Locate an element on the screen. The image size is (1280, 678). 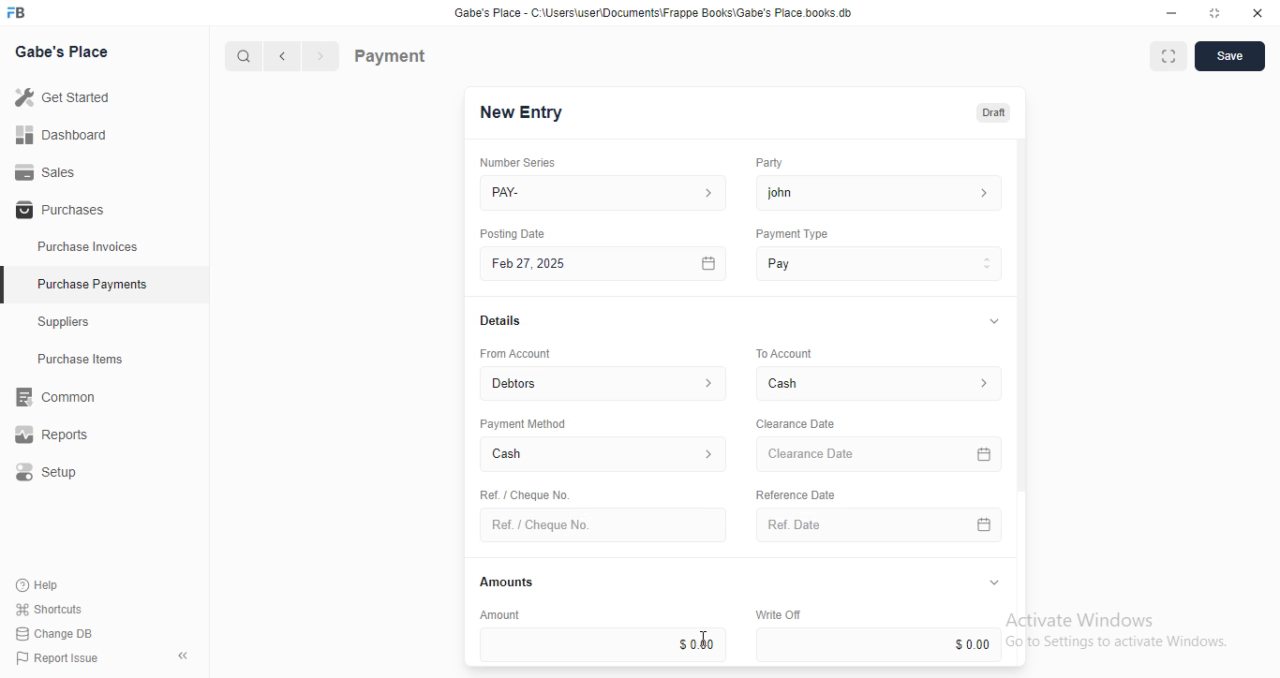
Get Started is located at coordinates (62, 96).